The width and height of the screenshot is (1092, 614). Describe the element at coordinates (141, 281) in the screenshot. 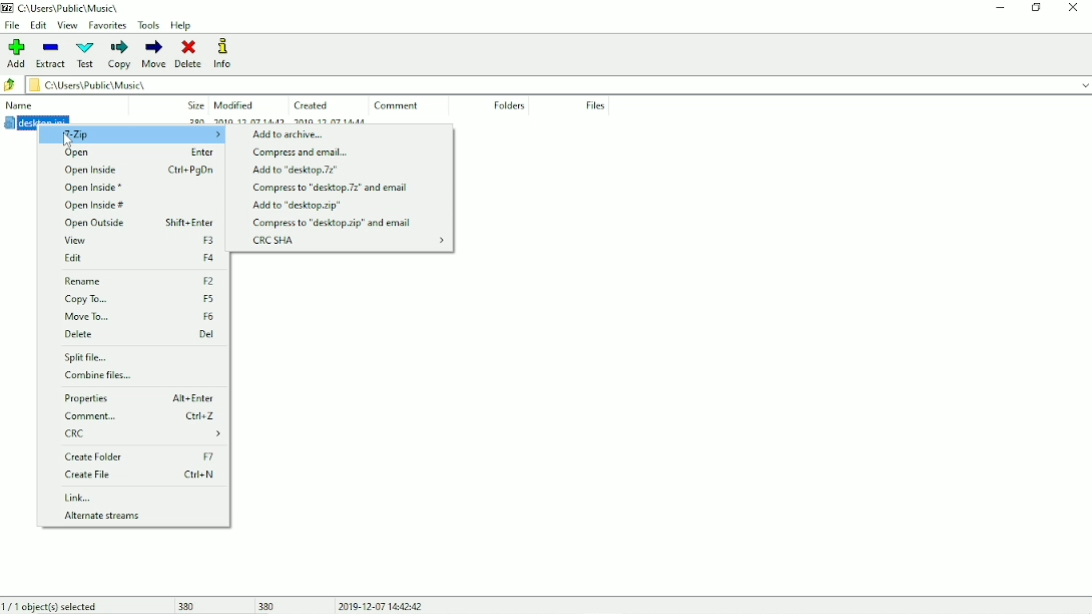

I see `Rename ` at that location.